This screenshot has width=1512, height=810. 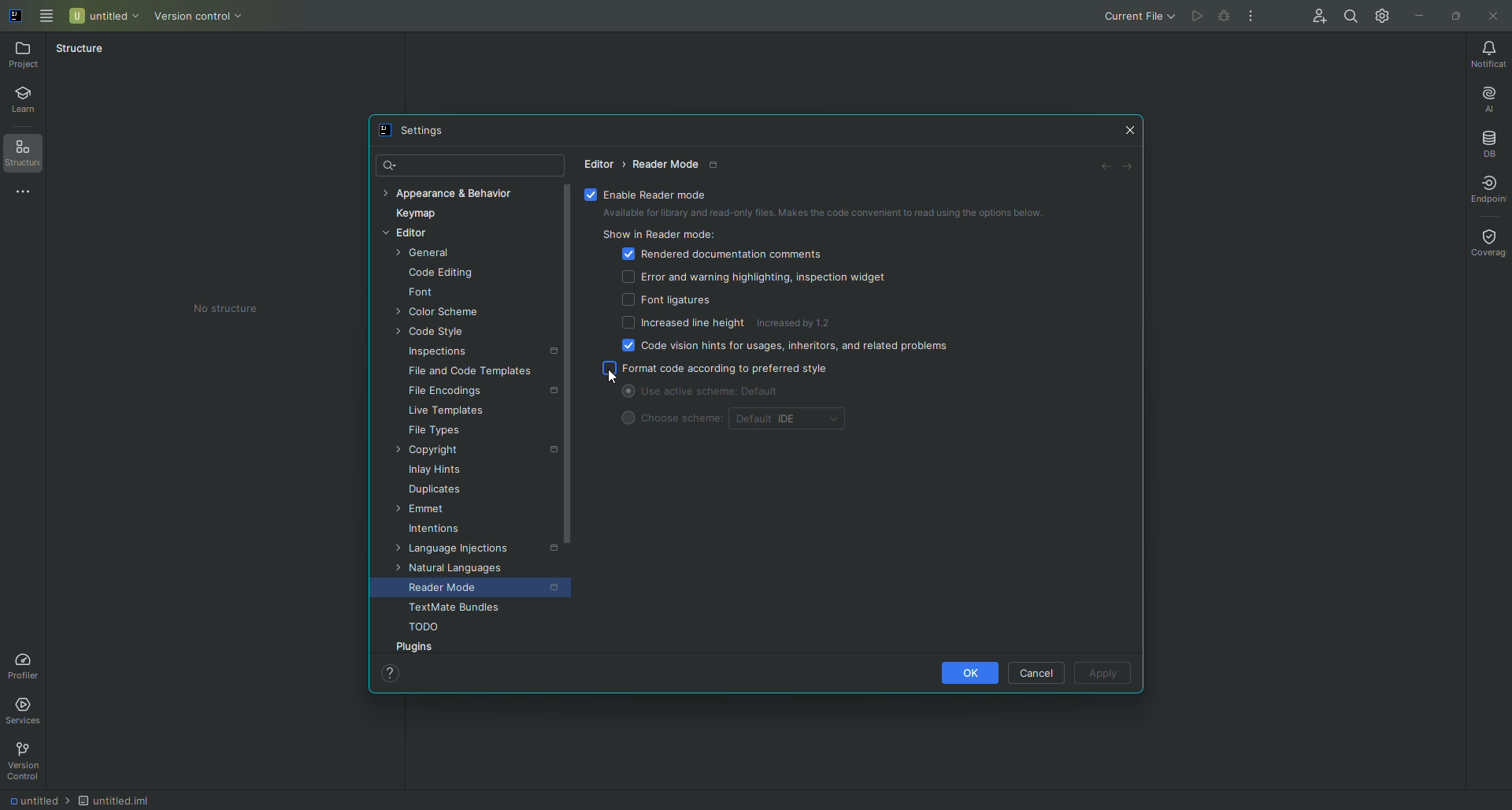 I want to click on Database, so click(x=1486, y=144).